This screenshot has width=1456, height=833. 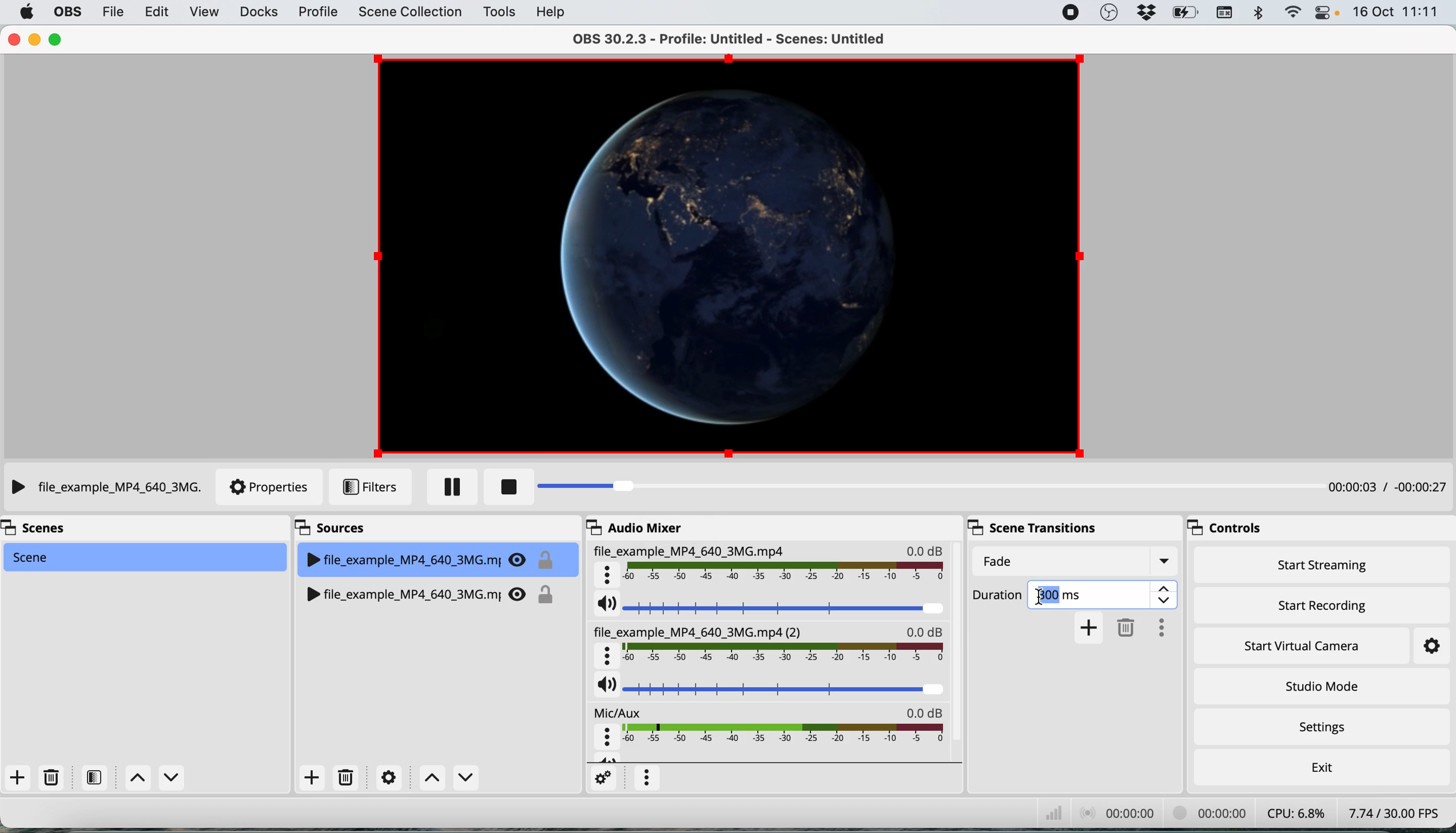 I want to click on filters, so click(x=92, y=778).